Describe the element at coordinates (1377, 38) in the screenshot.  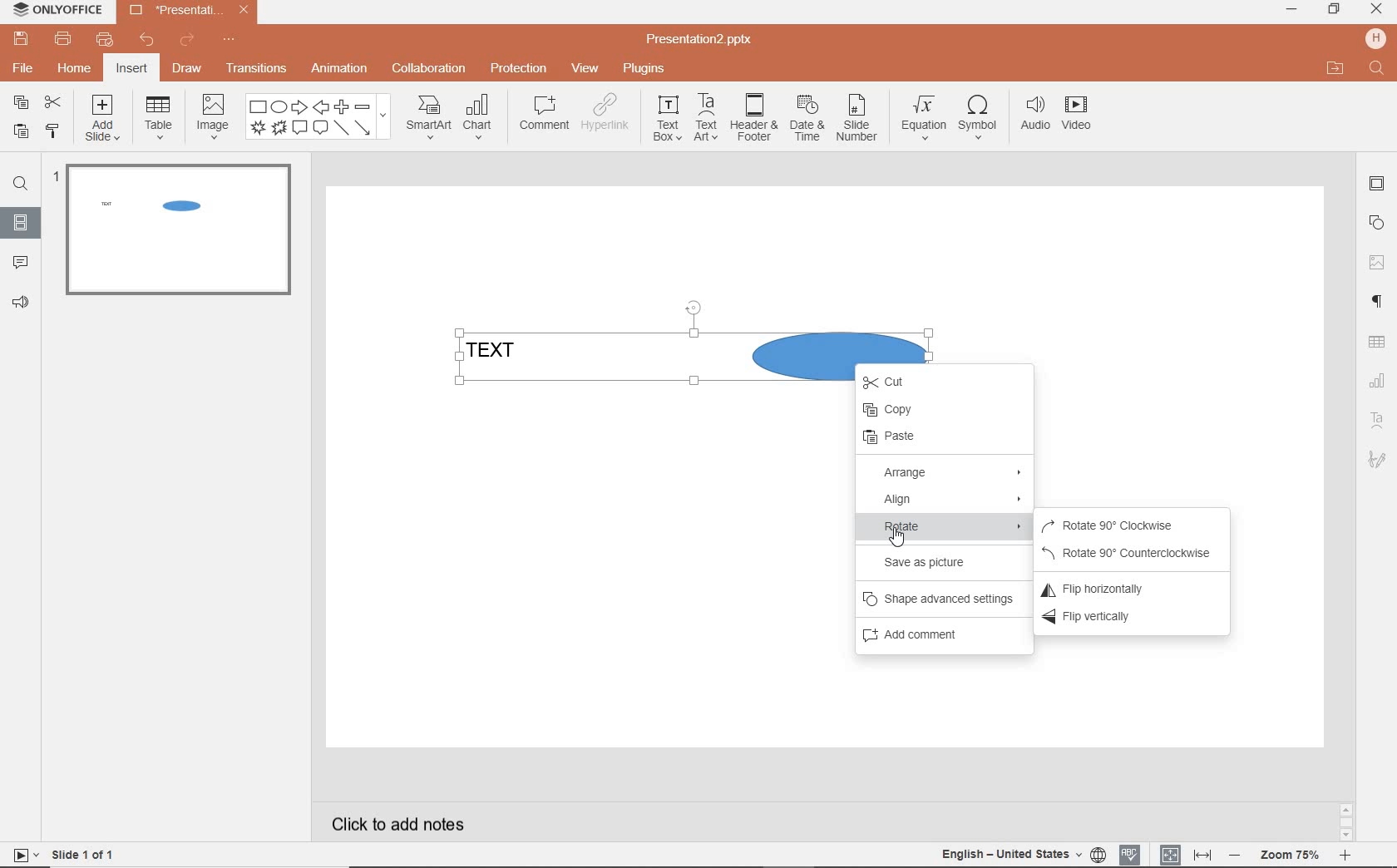
I see `HP` at that location.